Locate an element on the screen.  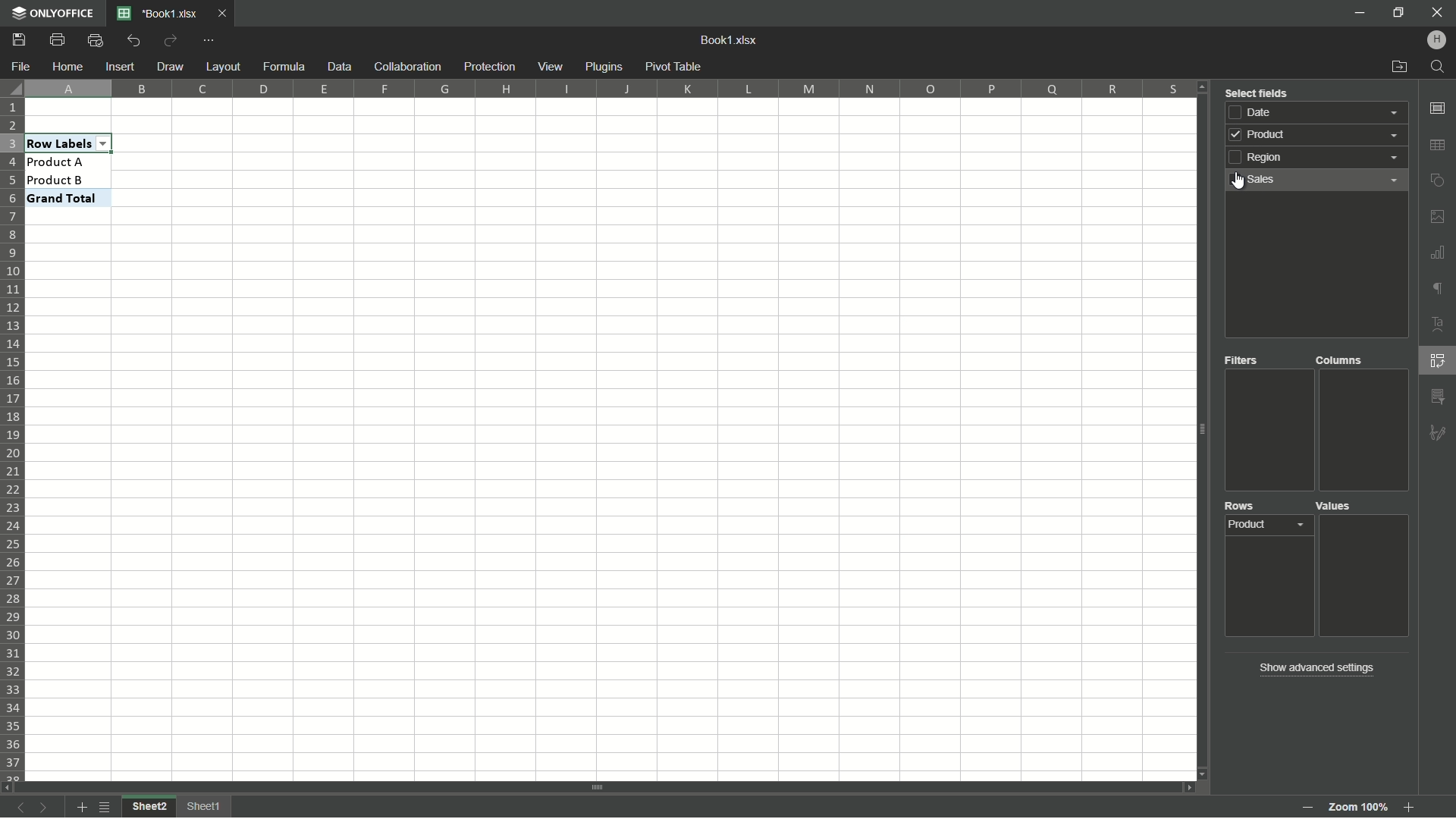
hp is located at coordinates (1438, 39).